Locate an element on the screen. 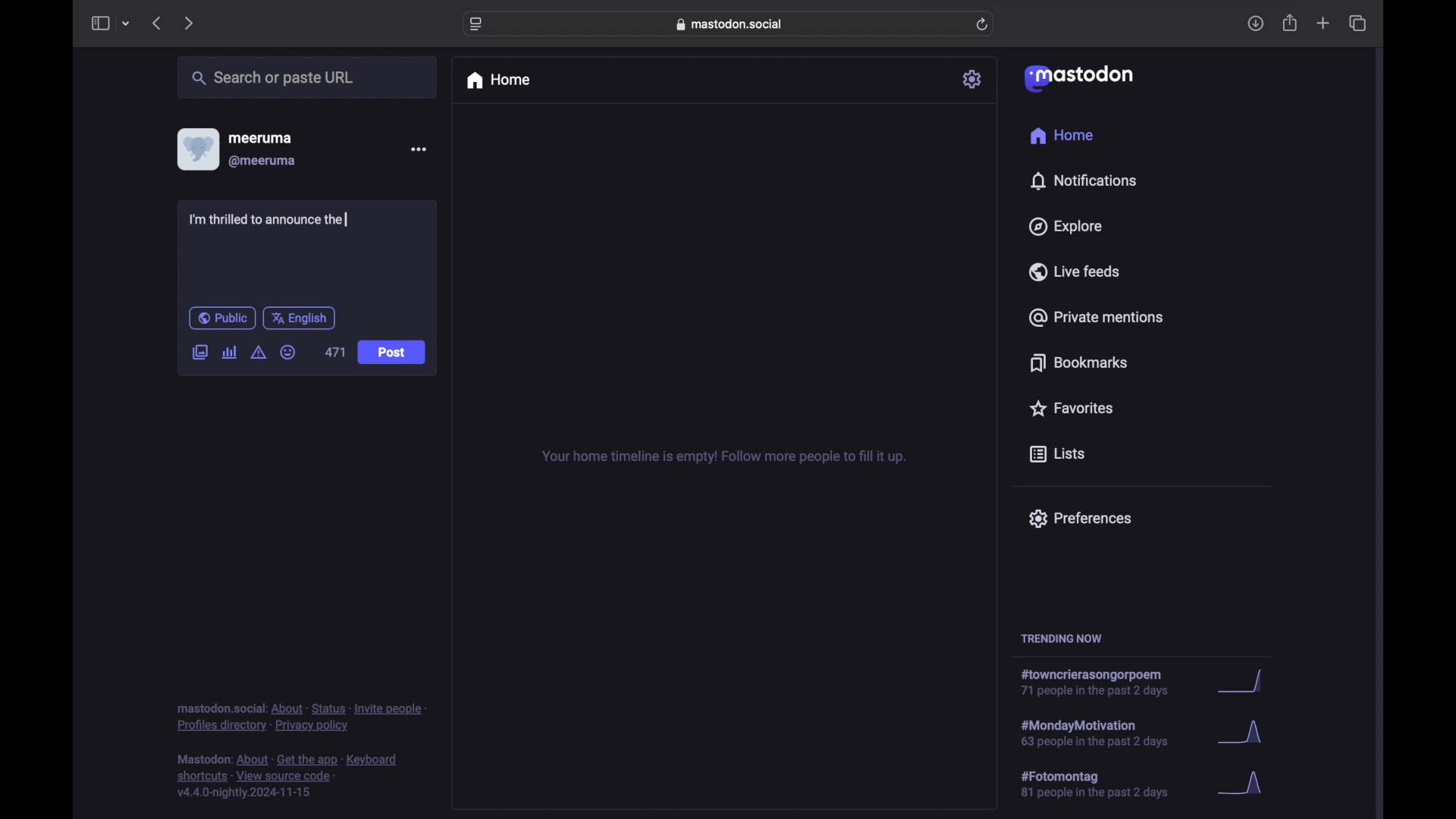 Image resolution: width=1456 pixels, height=819 pixels. explore is located at coordinates (1066, 227).